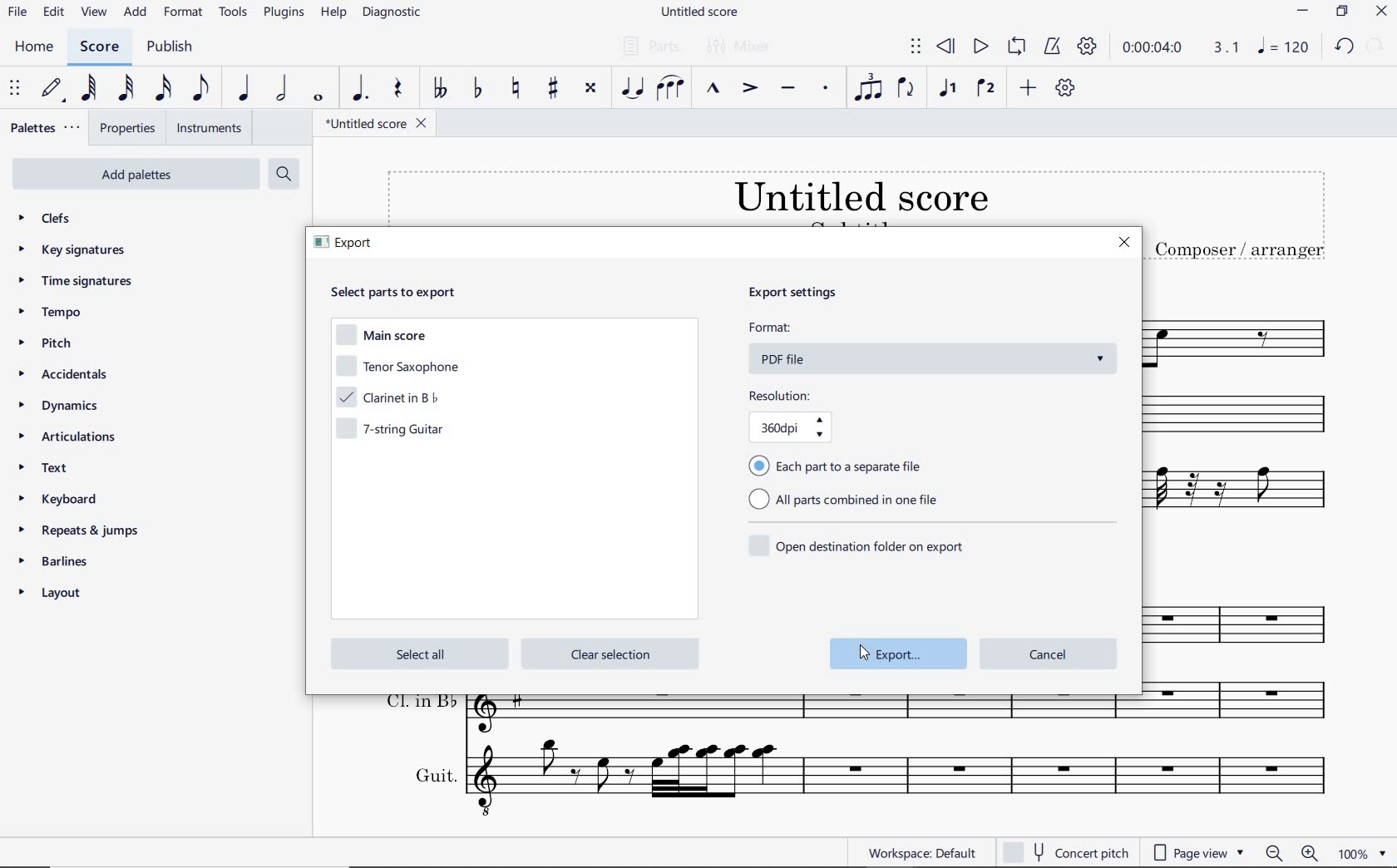  What do you see at coordinates (397, 368) in the screenshot?
I see `tenor saxophone` at bounding box center [397, 368].